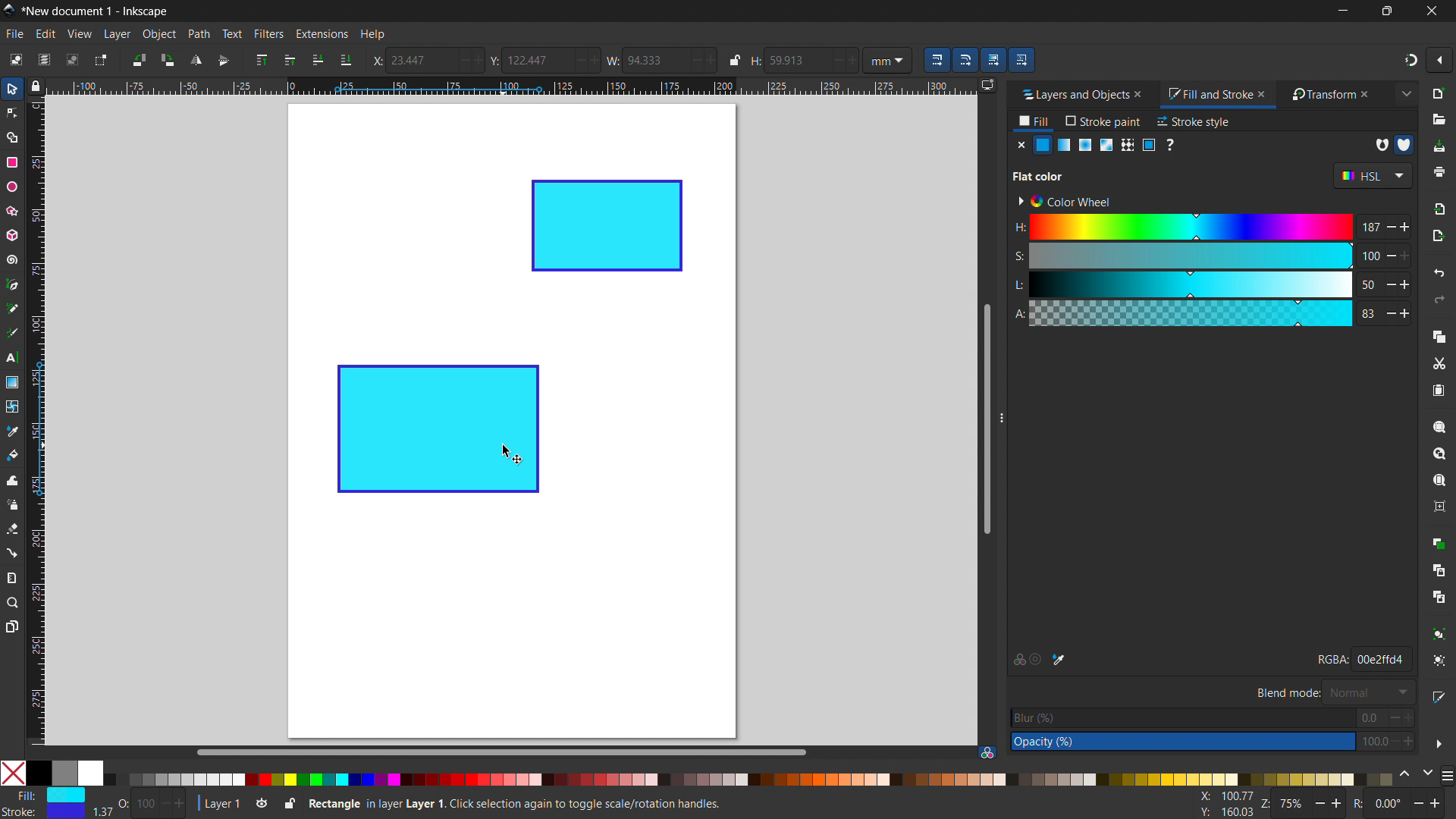 The width and height of the screenshot is (1456, 819). What do you see at coordinates (1304, 805) in the screenshot?
I see `Z: 75%` at bounding box center [1304, 805].